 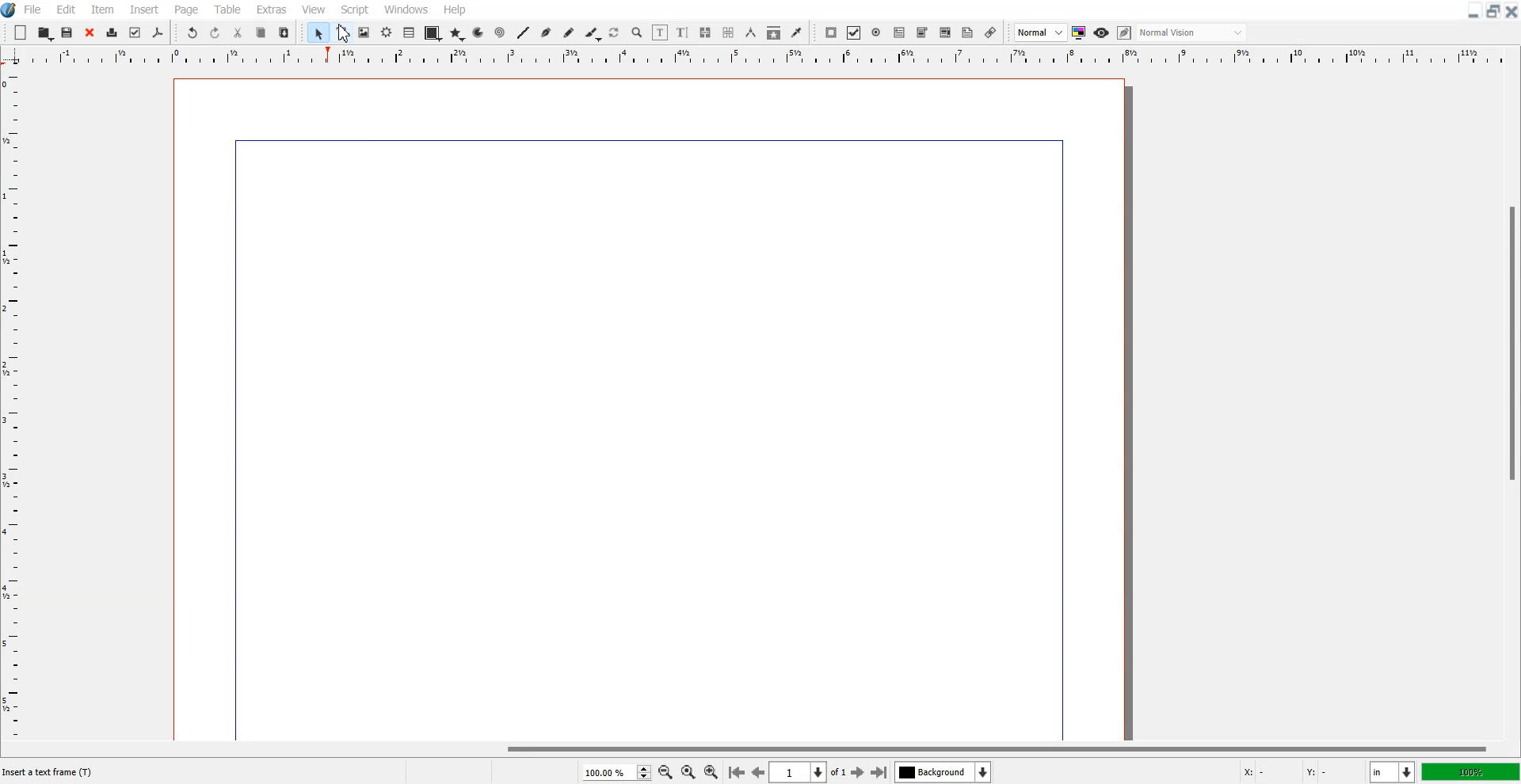 What do you see at coordinates (34, 9) in the screenshot?
I see `File` at bounding box center [34, 9].